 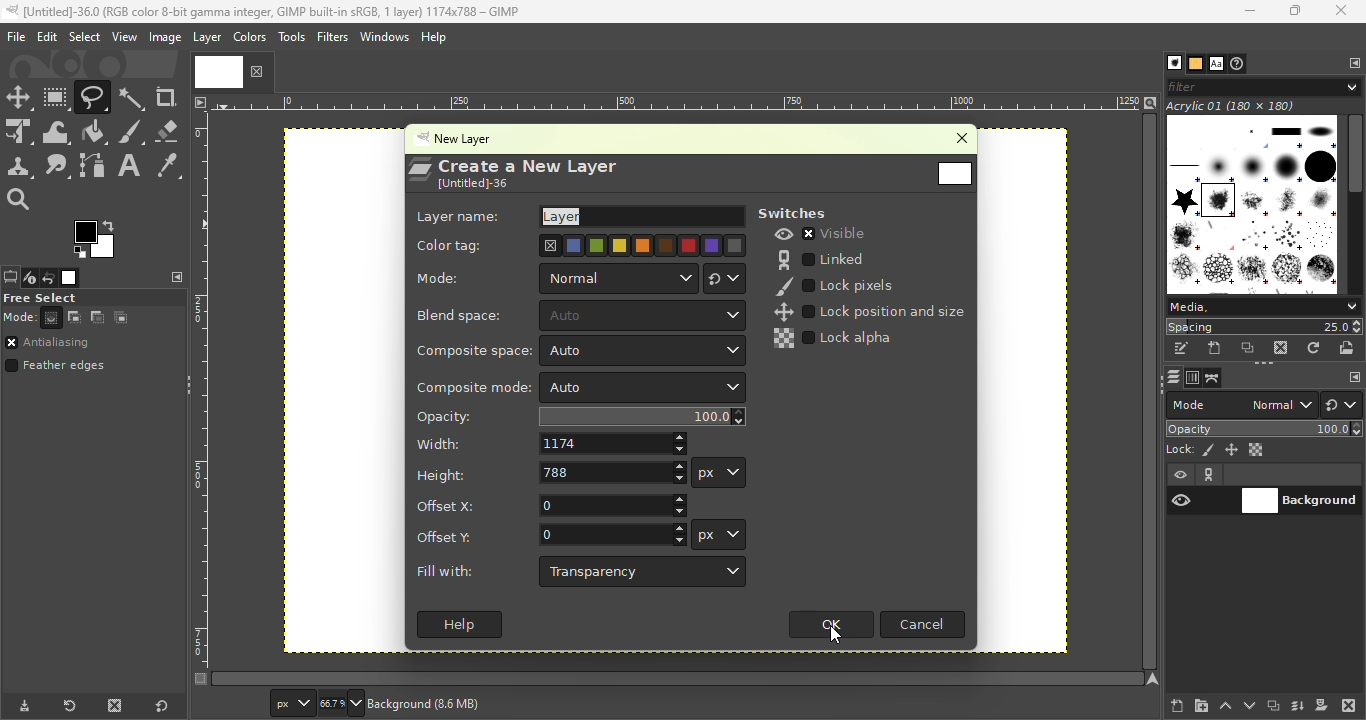 What do you see at coordinates (1349, 376) in the screenshot?
I see `Configure this tab` at bounding box center [1349, 376].